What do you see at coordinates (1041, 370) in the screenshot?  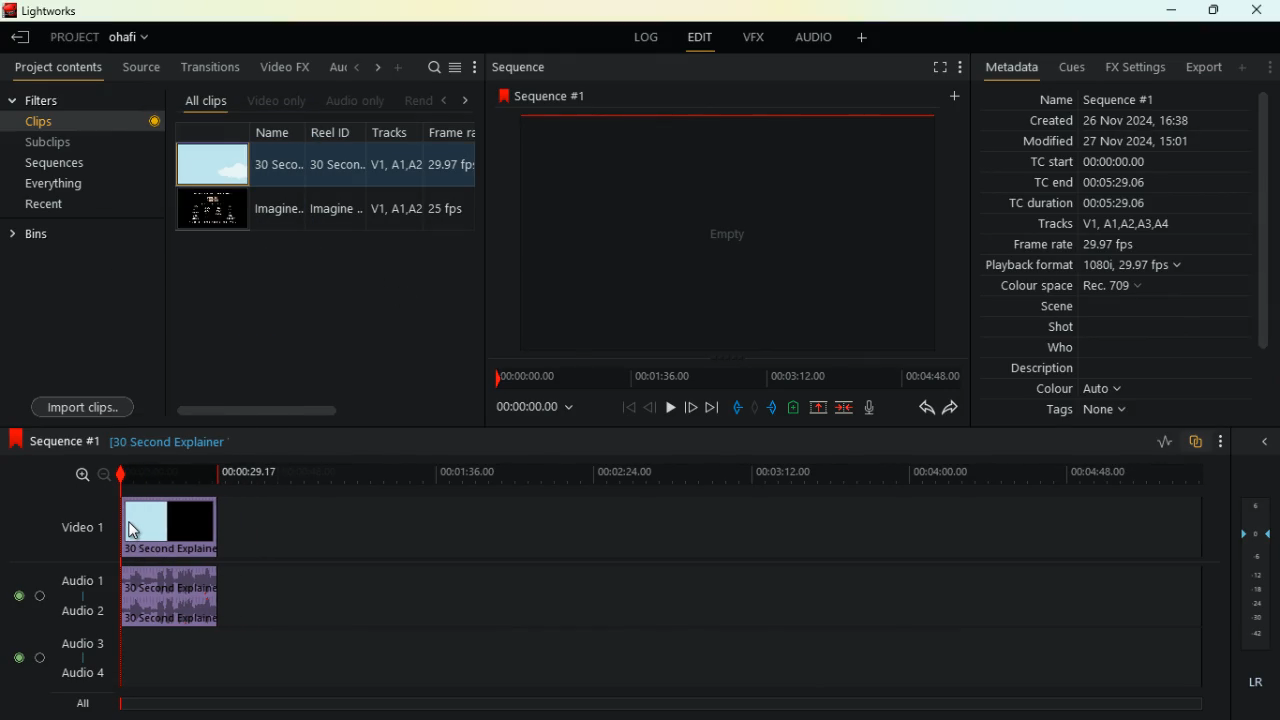 I see `description` at bounding box center [1041, 370].